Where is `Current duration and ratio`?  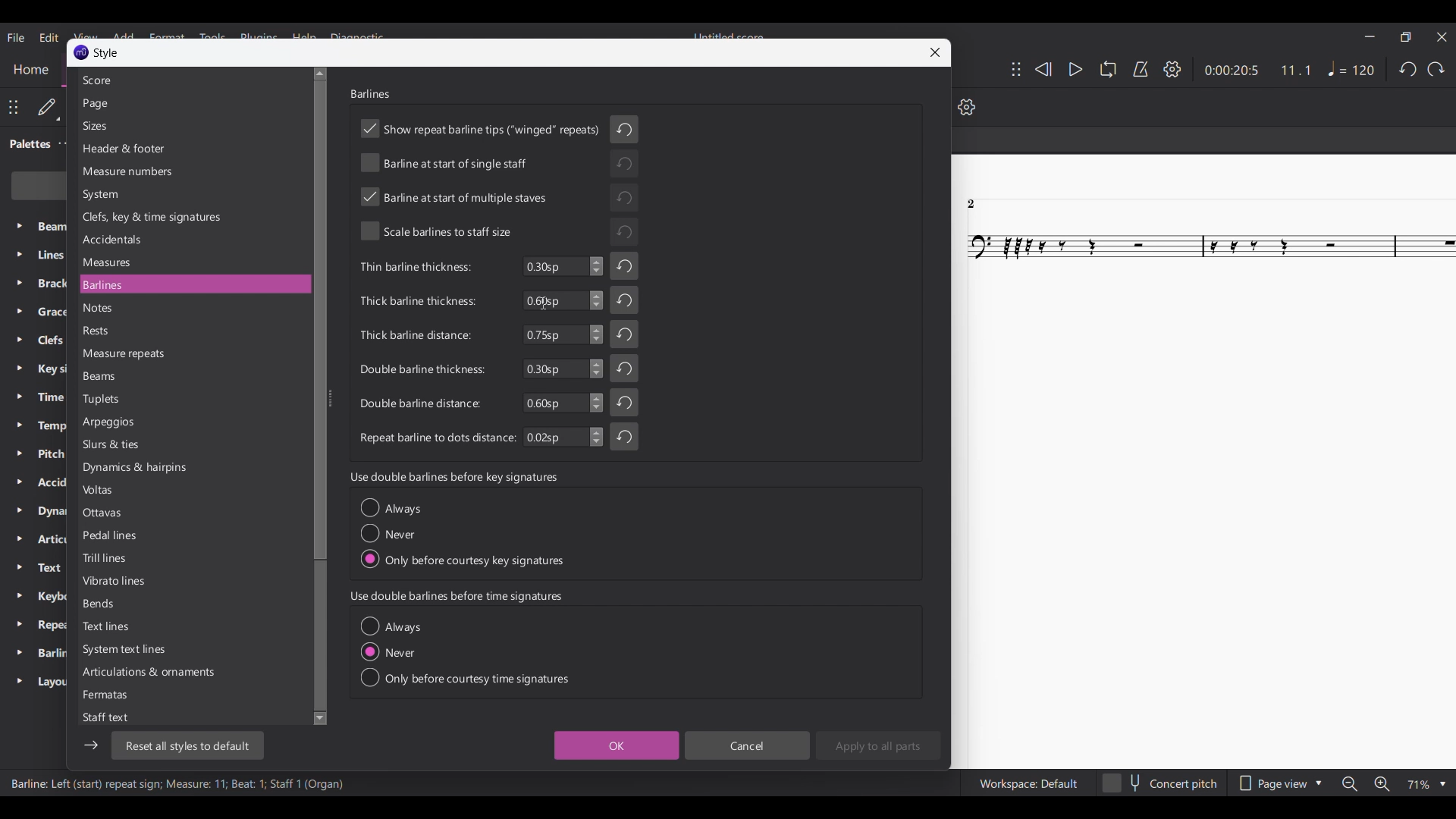 Current duration and ratio is located at coordinates (1258, 71).